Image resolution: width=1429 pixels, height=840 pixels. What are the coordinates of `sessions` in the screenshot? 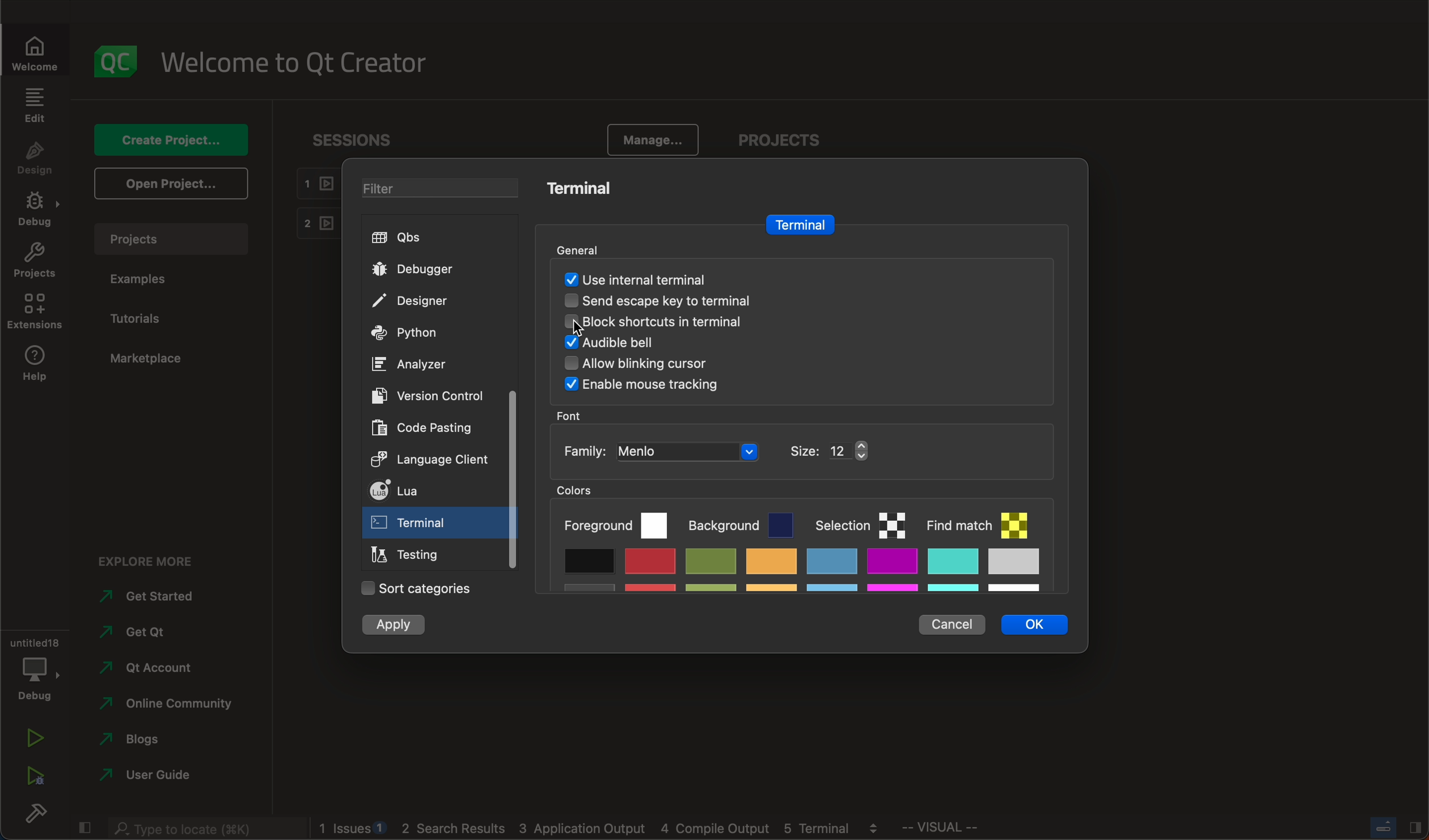 It's located at (346, 137).